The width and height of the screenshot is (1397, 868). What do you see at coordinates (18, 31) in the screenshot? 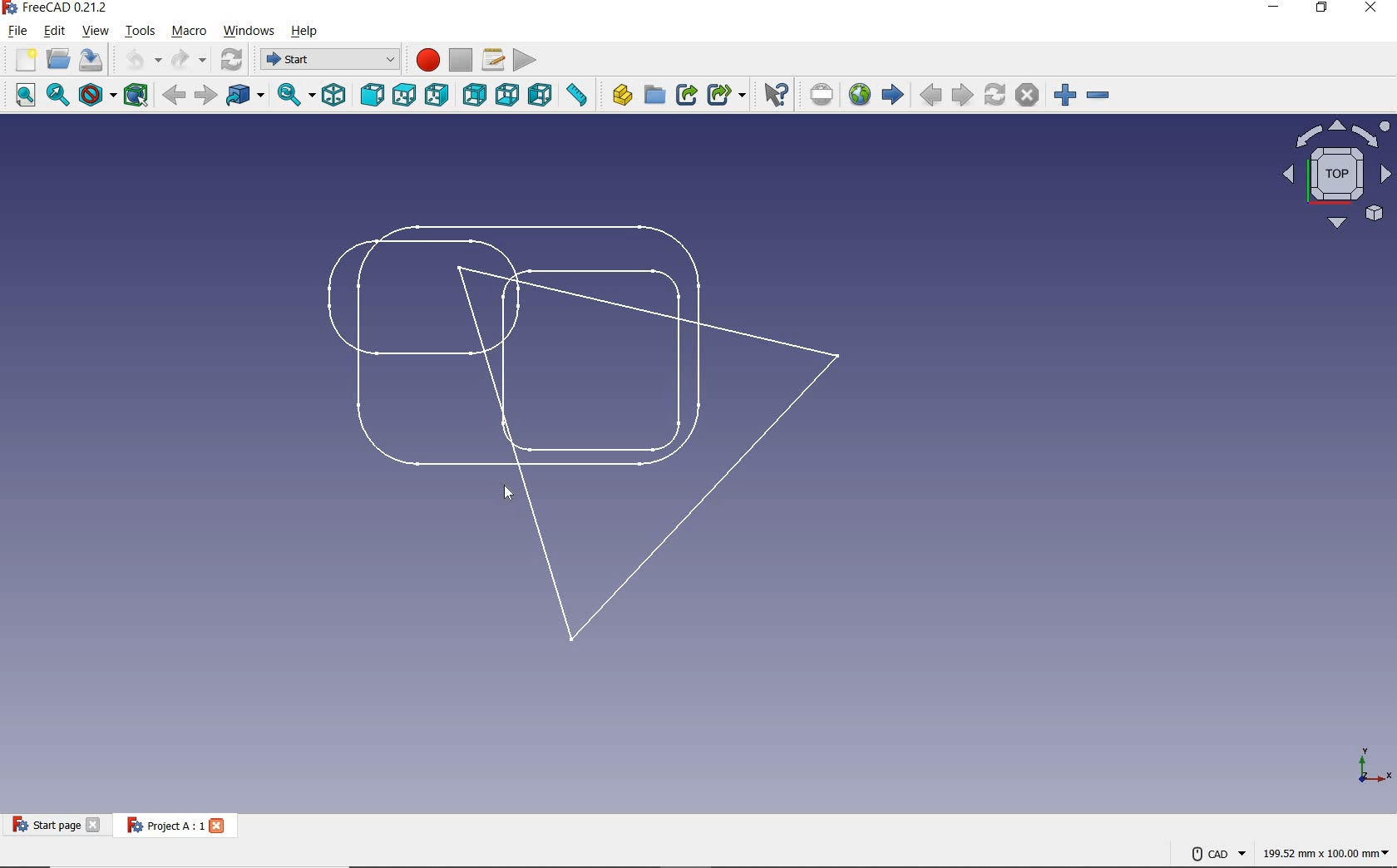
I see `FILE` at bounding box center [18, 31].